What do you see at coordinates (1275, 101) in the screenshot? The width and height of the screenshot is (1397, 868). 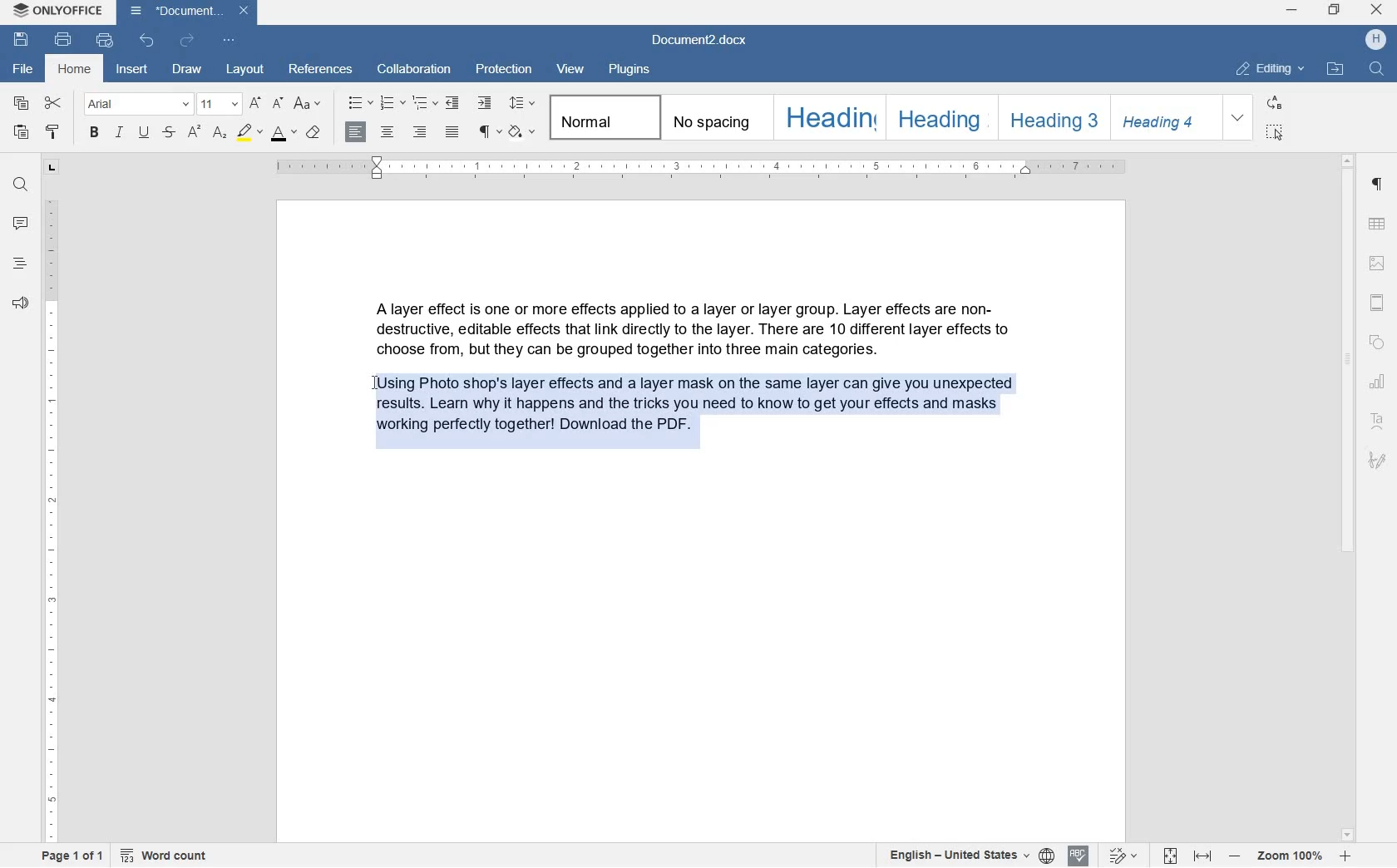 I see `REPLACE` at bounding box center [1275, 101].